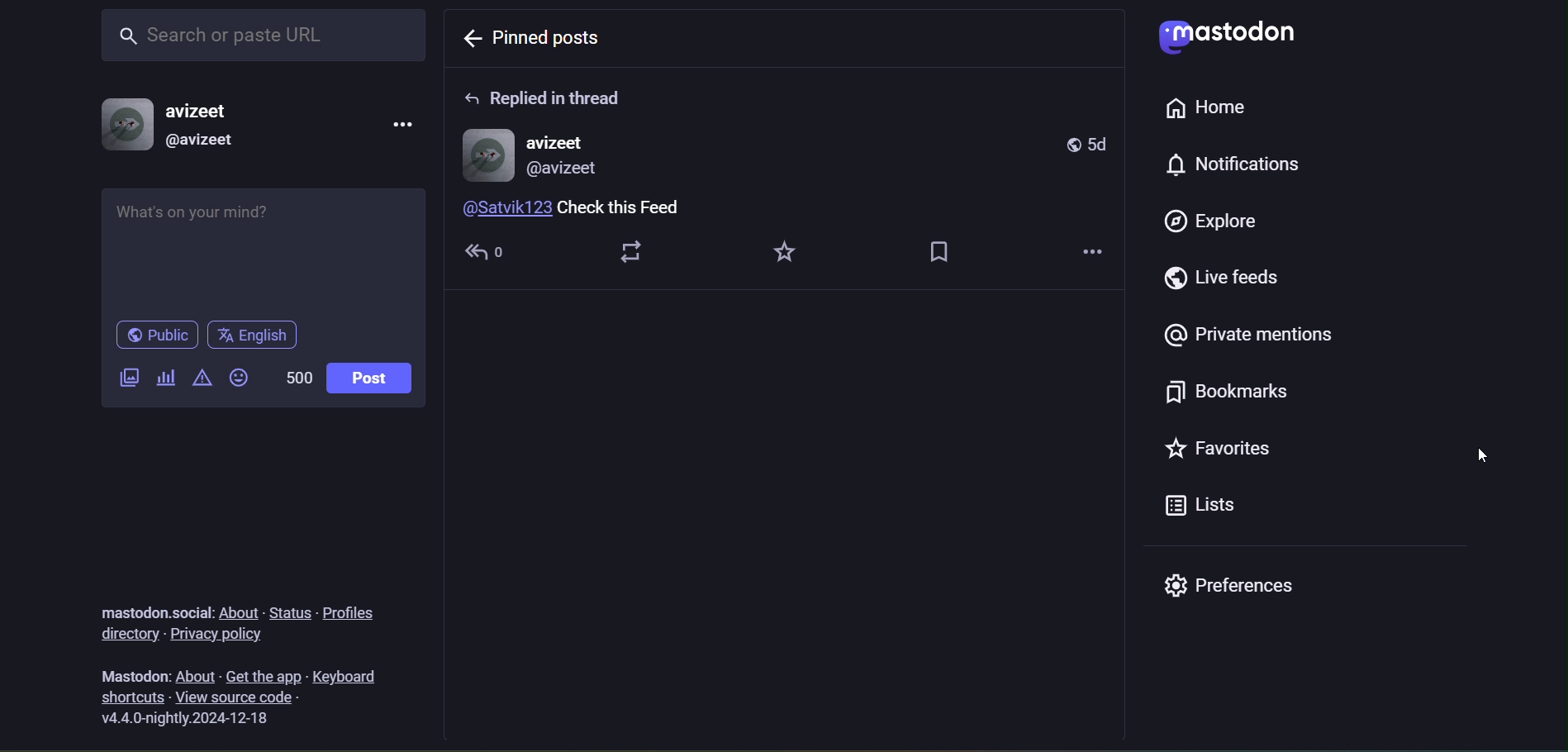 This screenshot has width=1568, height=752. Describe the element at coordinates (252, 336) in the screenshot. I see `language` at that location.